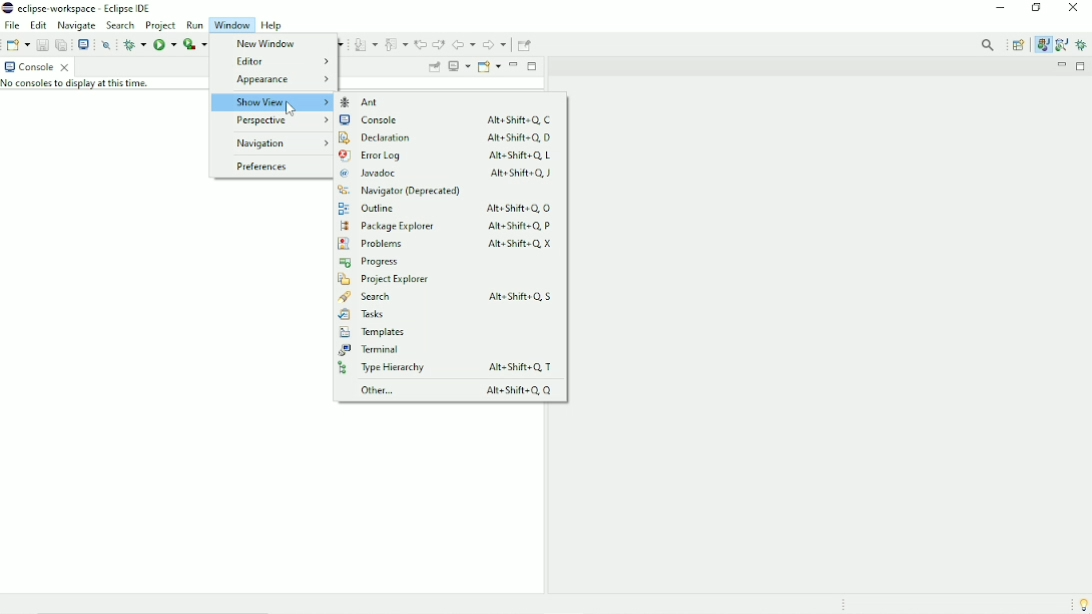  I want to click on Java Browsing, so click(1061, 45).